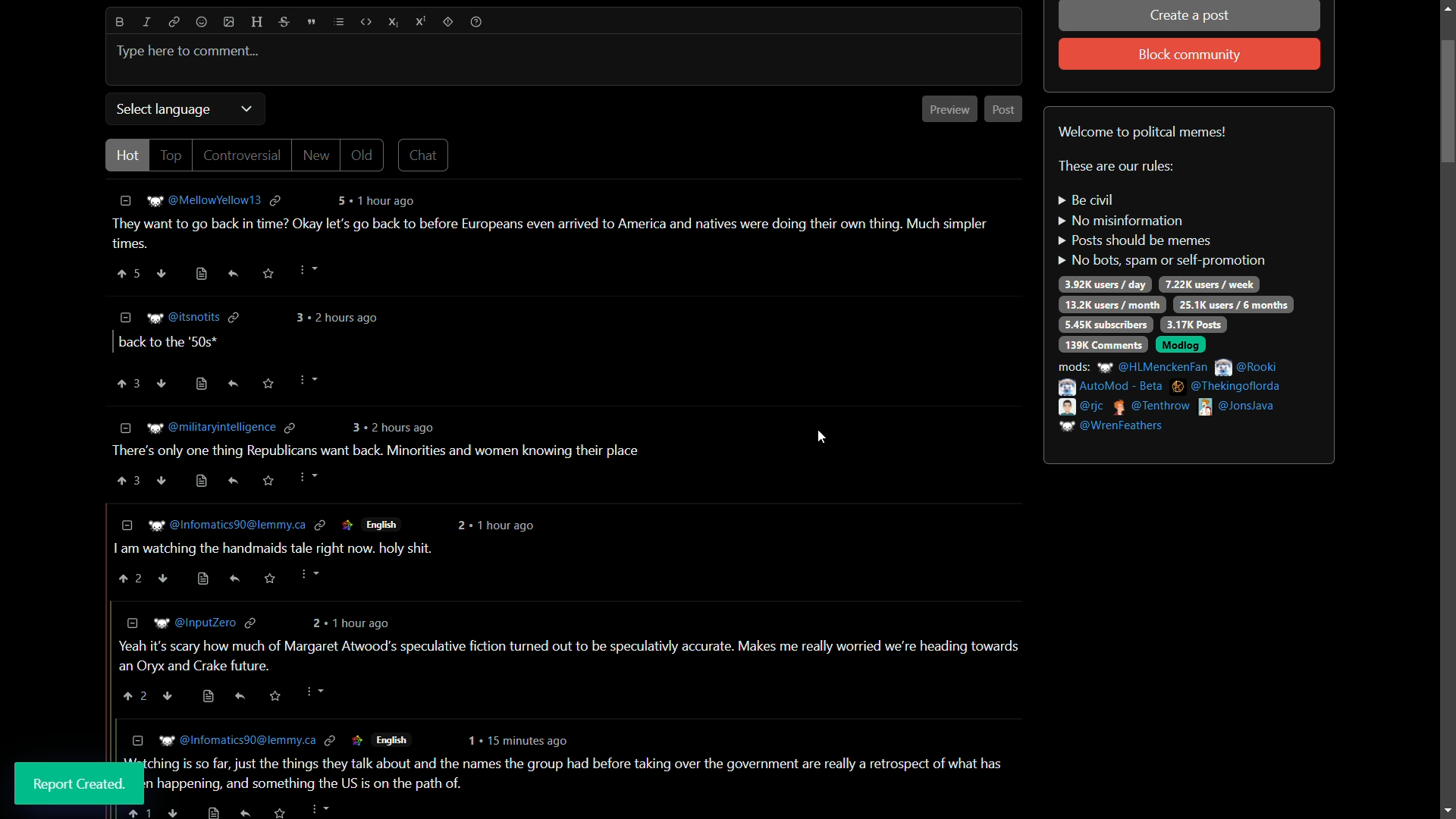  Describe the element at coordinates (120, 22) in the screenshot. I see `bold` at that location.